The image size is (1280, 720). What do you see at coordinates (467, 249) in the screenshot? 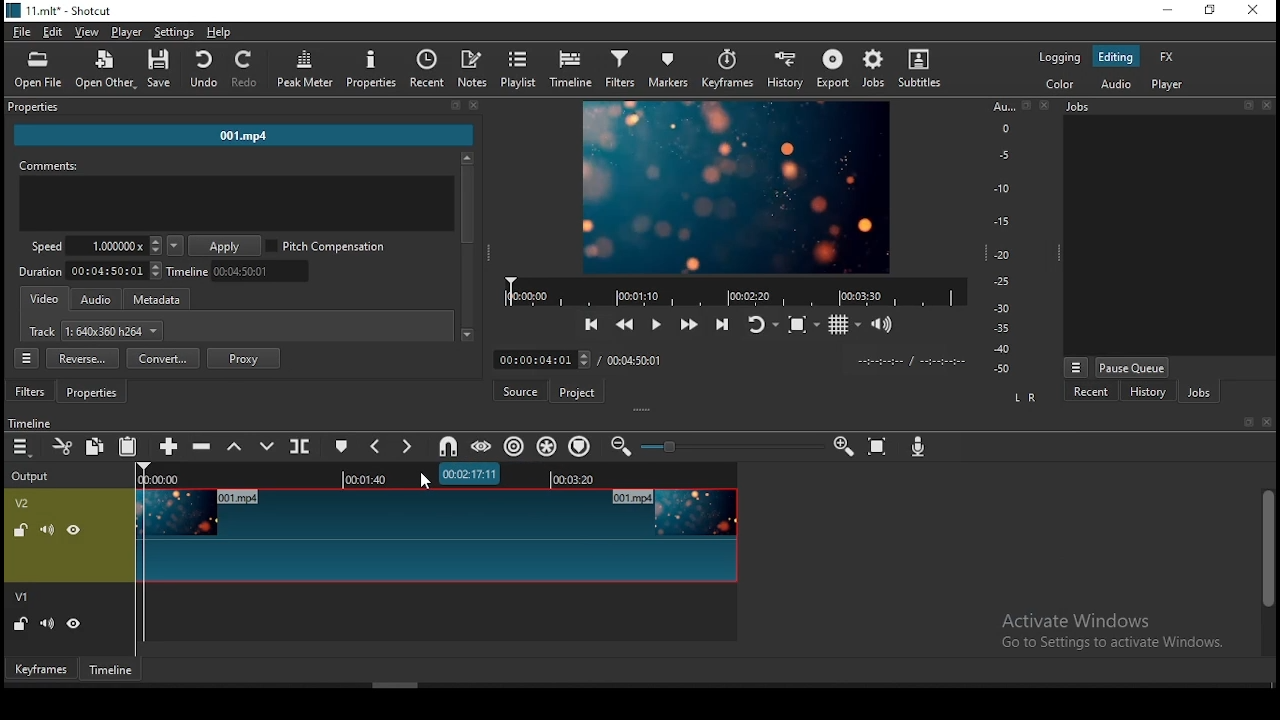
I see `SCROLLBAR` at bounding box center [467, 249].